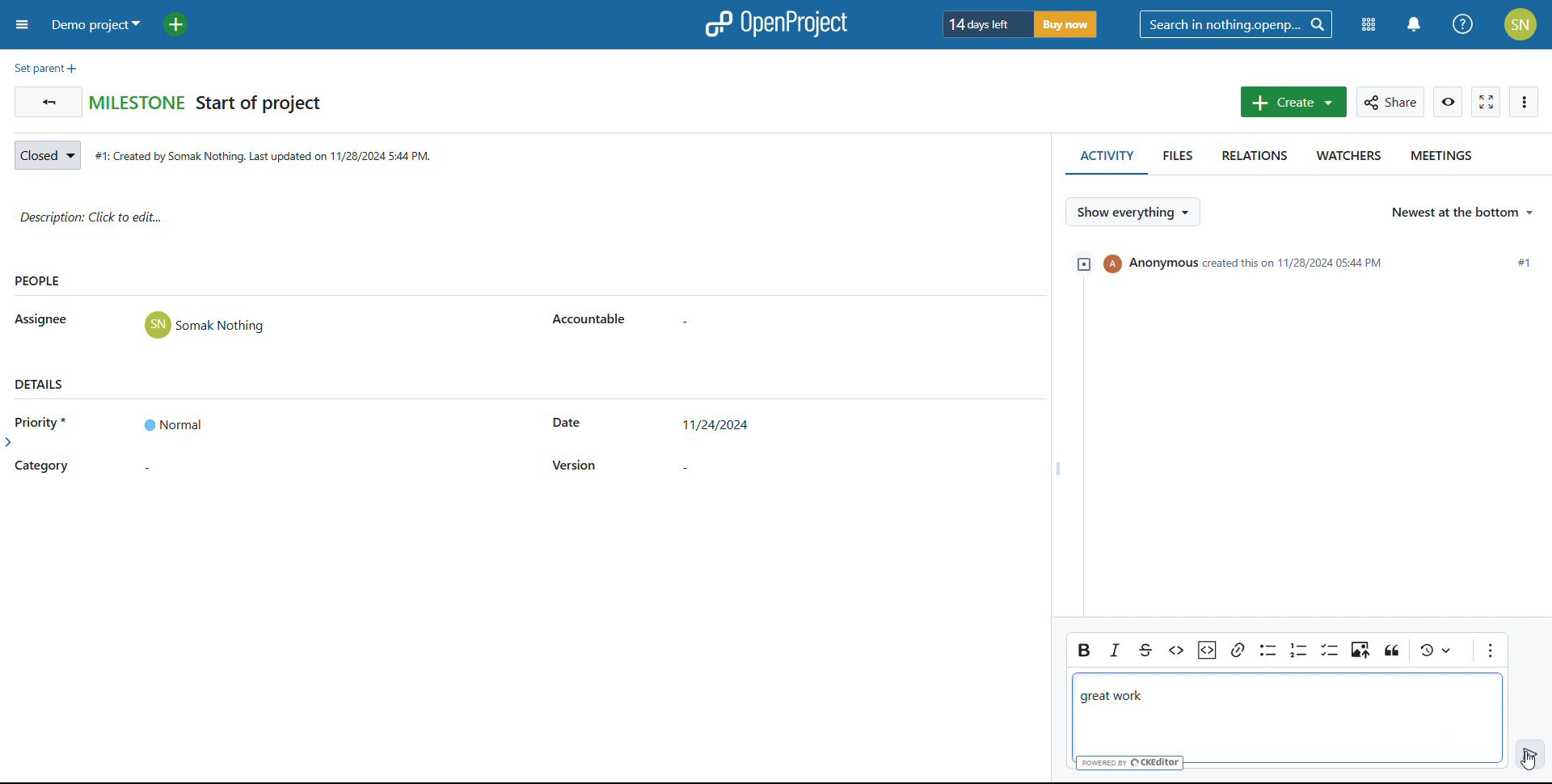 Image resolution: width=1552 pixels, height=784 pixels. I want to click on code, so click(1176, 651).